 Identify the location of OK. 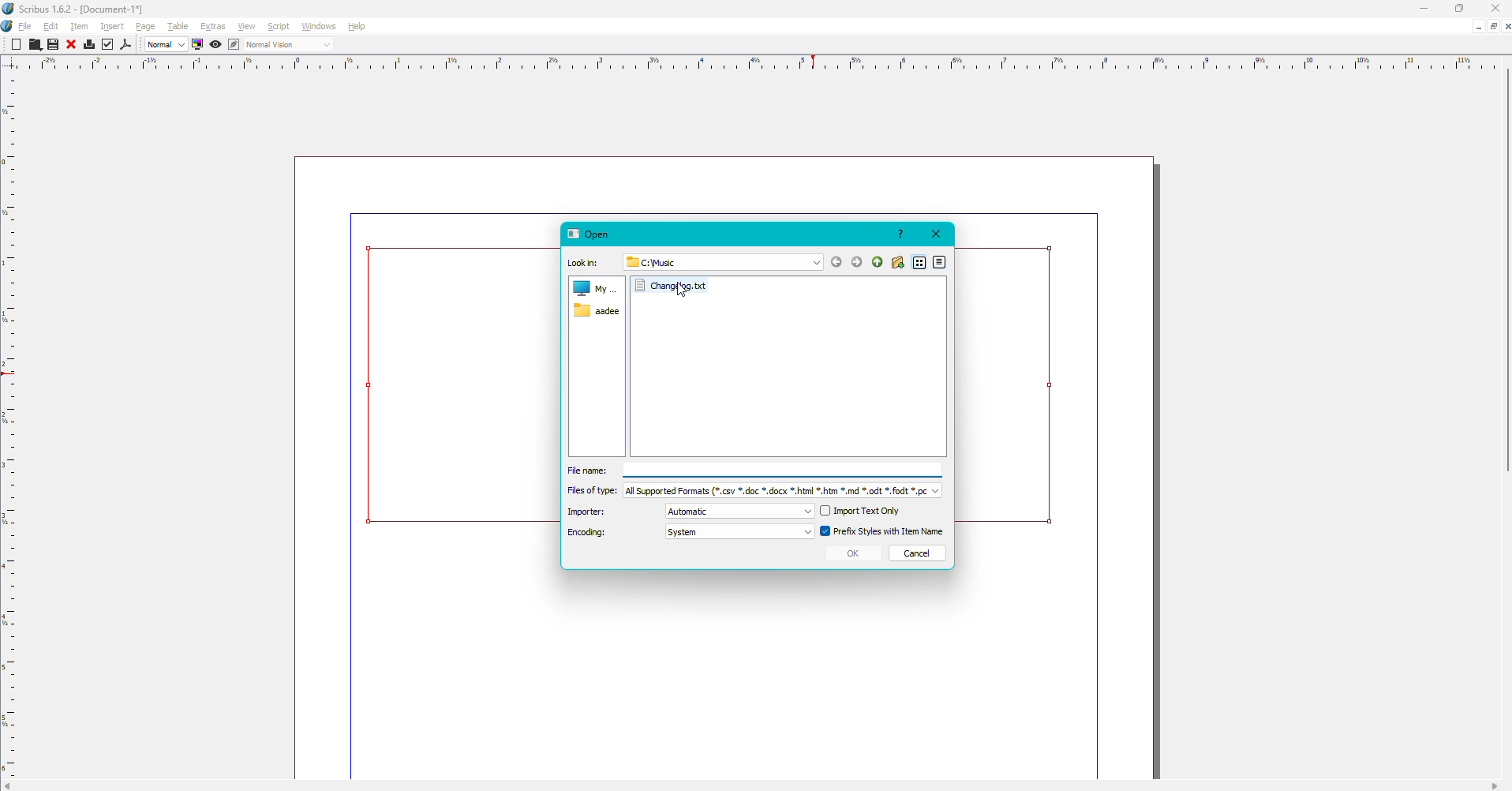
(854, 553).